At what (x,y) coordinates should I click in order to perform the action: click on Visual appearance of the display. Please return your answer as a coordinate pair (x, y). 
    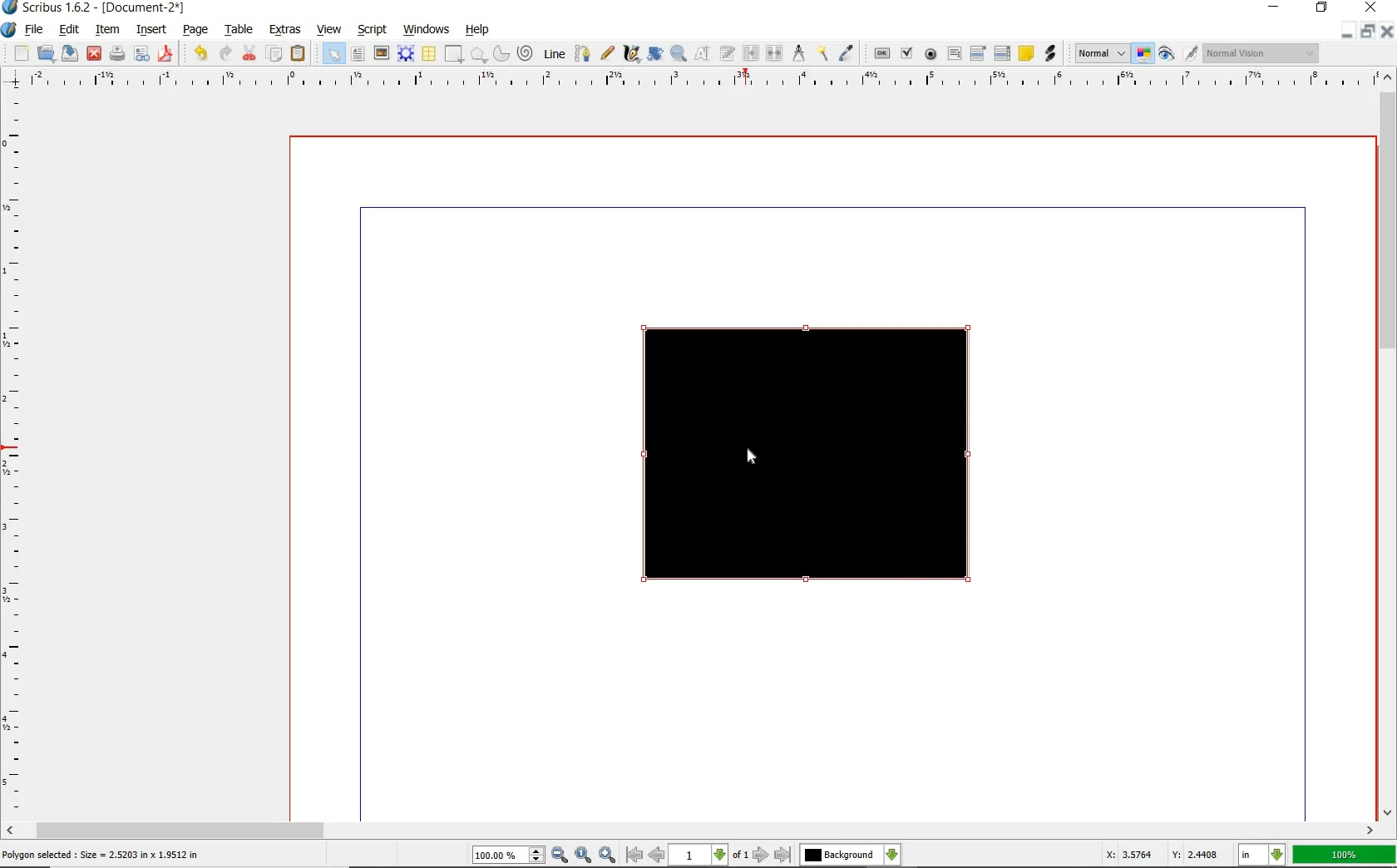
    Looking at the image, I should click on (1261, 54).